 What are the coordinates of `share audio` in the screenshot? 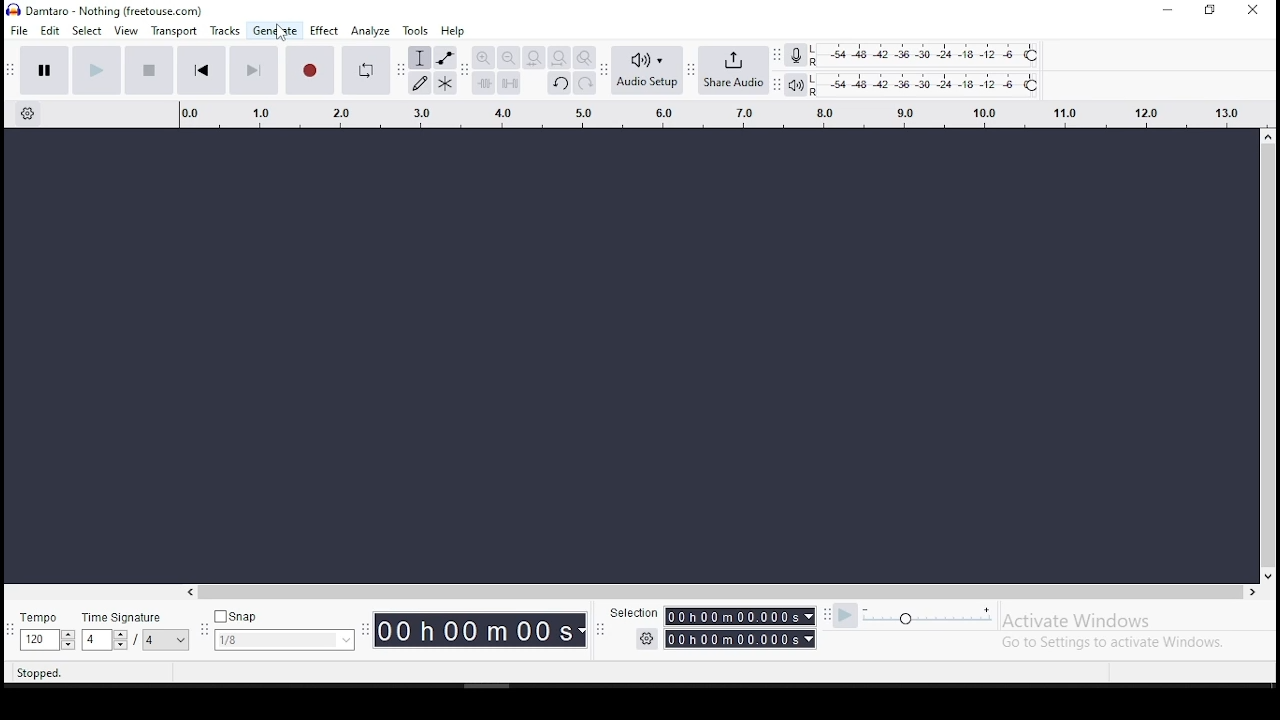 It's located at (734, 71).